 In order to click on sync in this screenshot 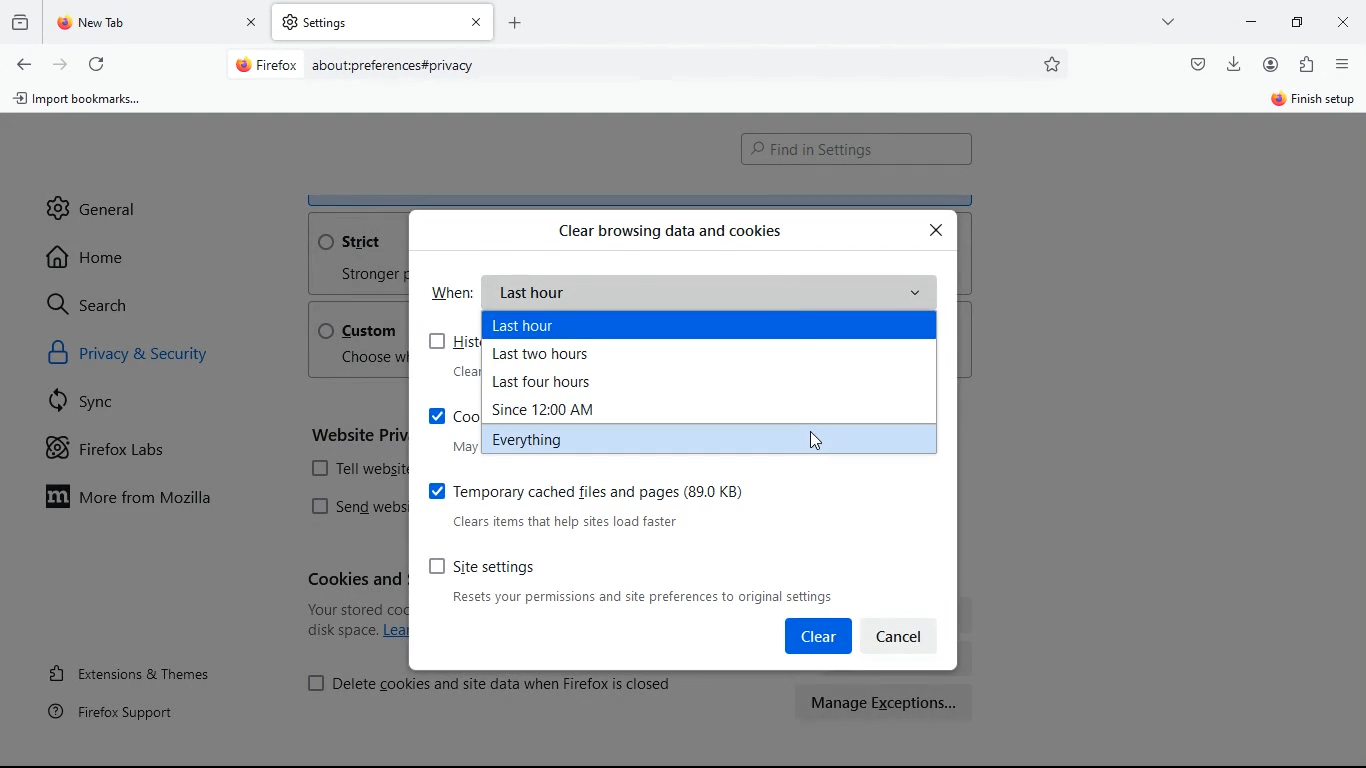, I will do `click(91, 405)`.